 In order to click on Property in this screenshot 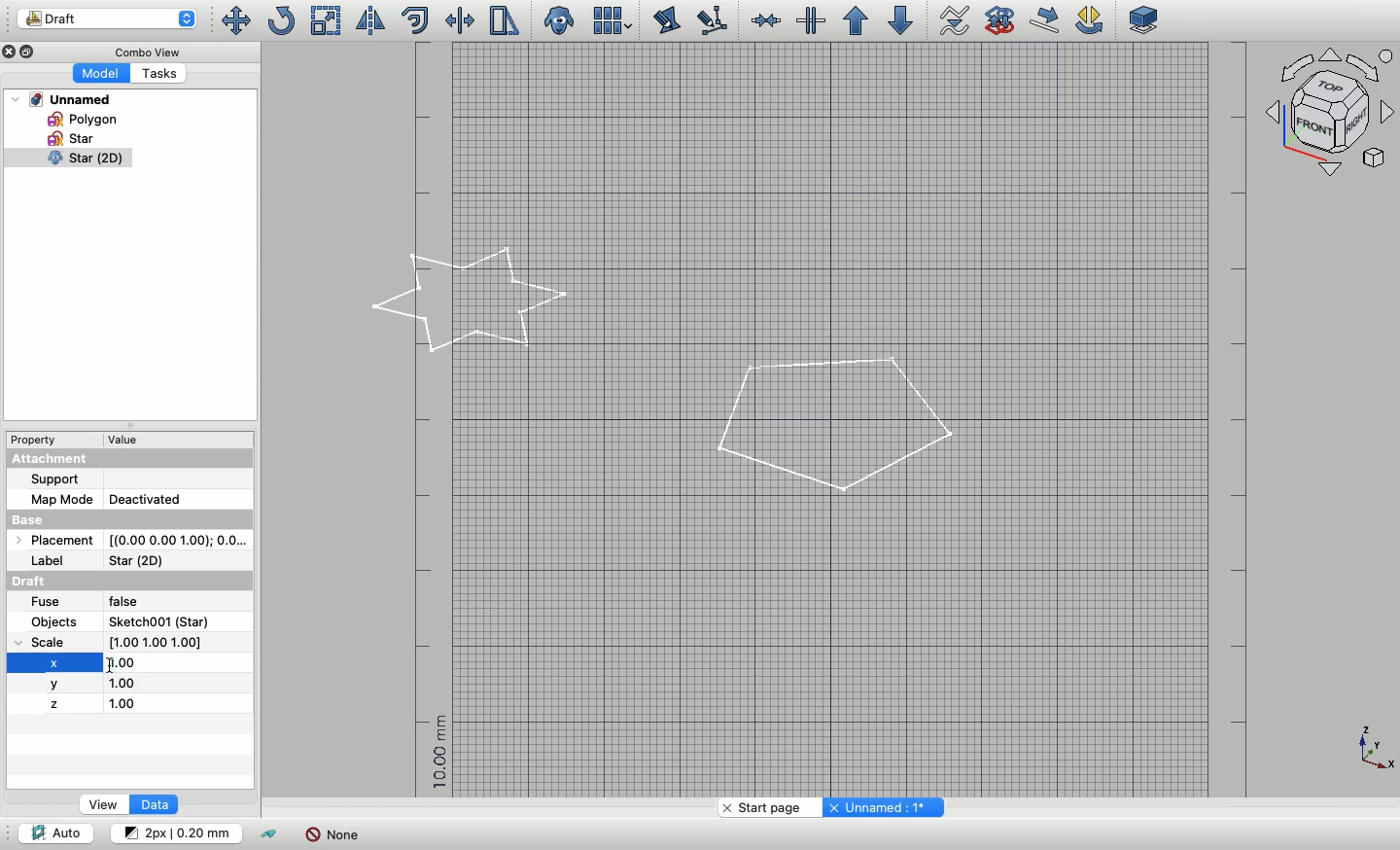, I will do `click(34, 440)`.